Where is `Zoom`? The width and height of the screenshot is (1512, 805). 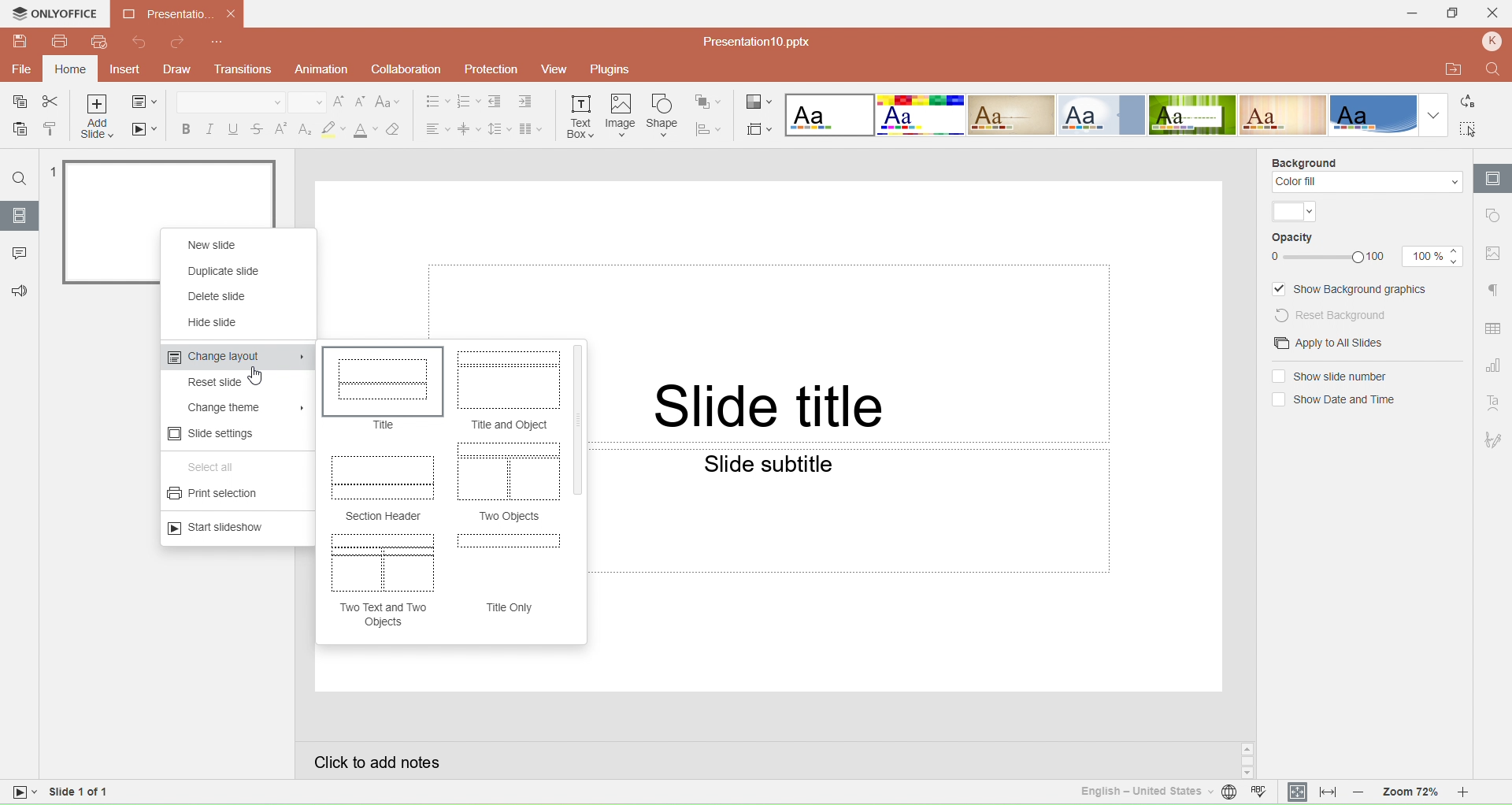
Zoom is located at coordinates (1406, 793).